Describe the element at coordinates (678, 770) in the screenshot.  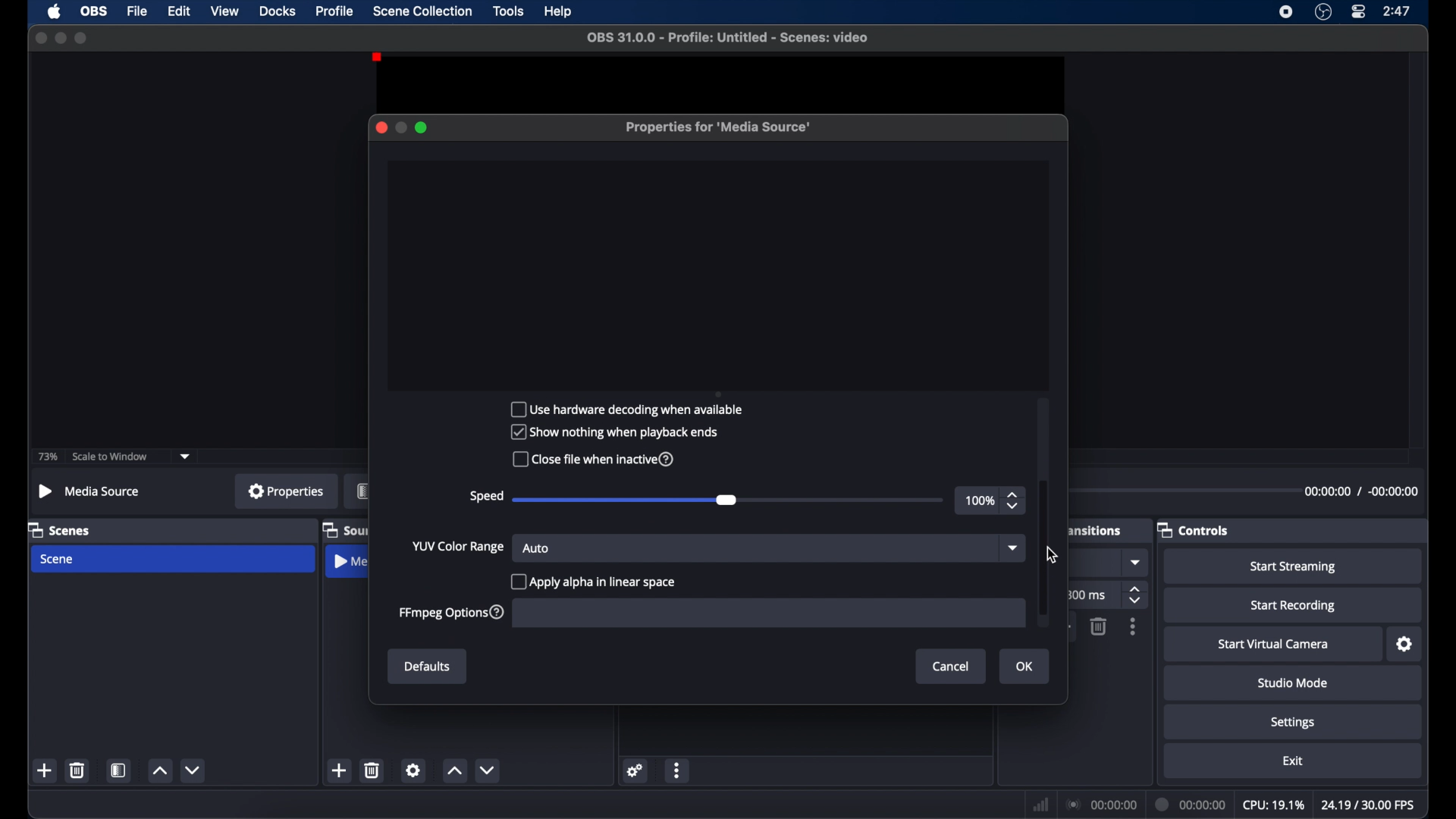
I see `more options` at that location.